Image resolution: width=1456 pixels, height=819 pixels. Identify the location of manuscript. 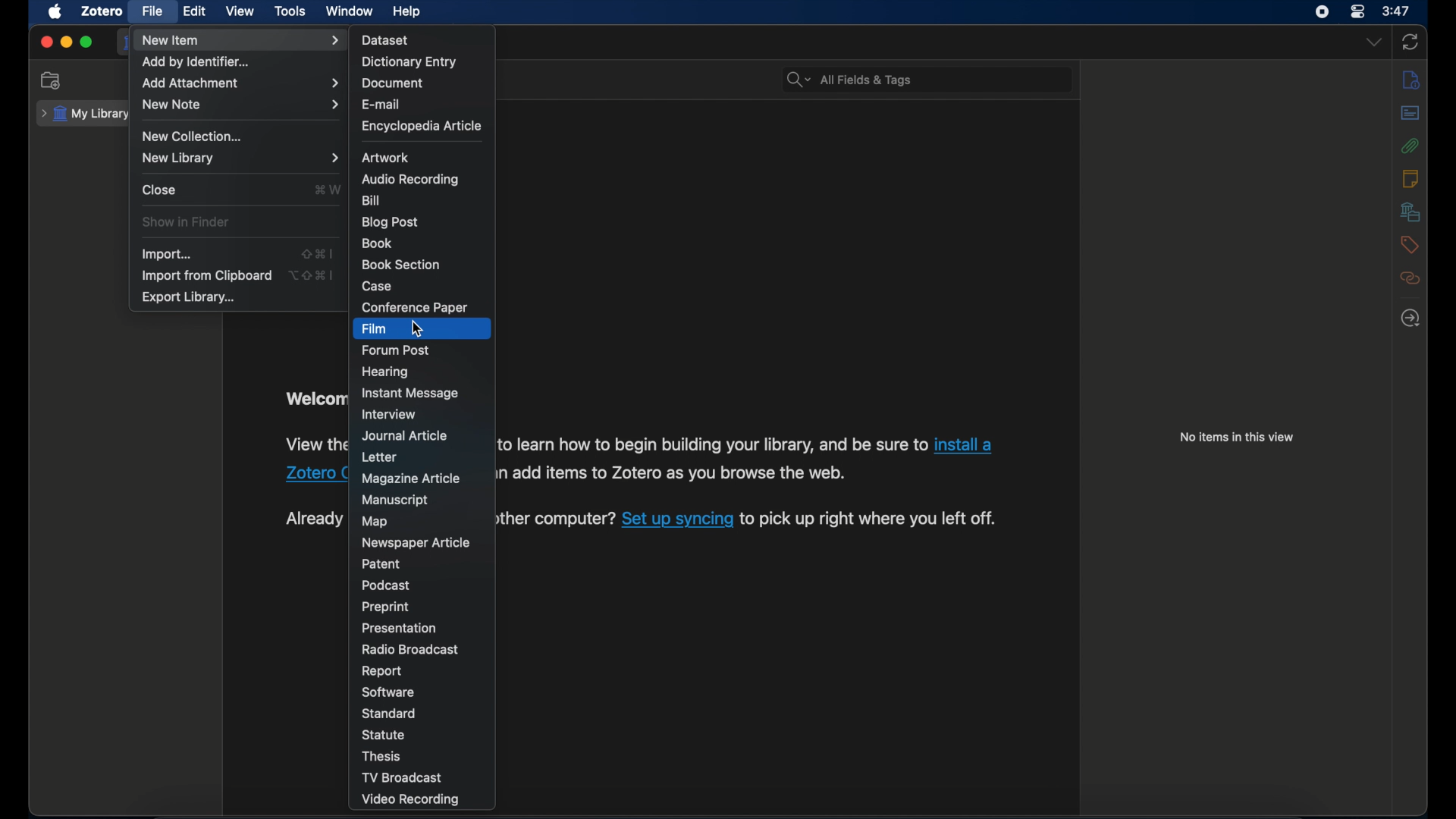
(395, 500).